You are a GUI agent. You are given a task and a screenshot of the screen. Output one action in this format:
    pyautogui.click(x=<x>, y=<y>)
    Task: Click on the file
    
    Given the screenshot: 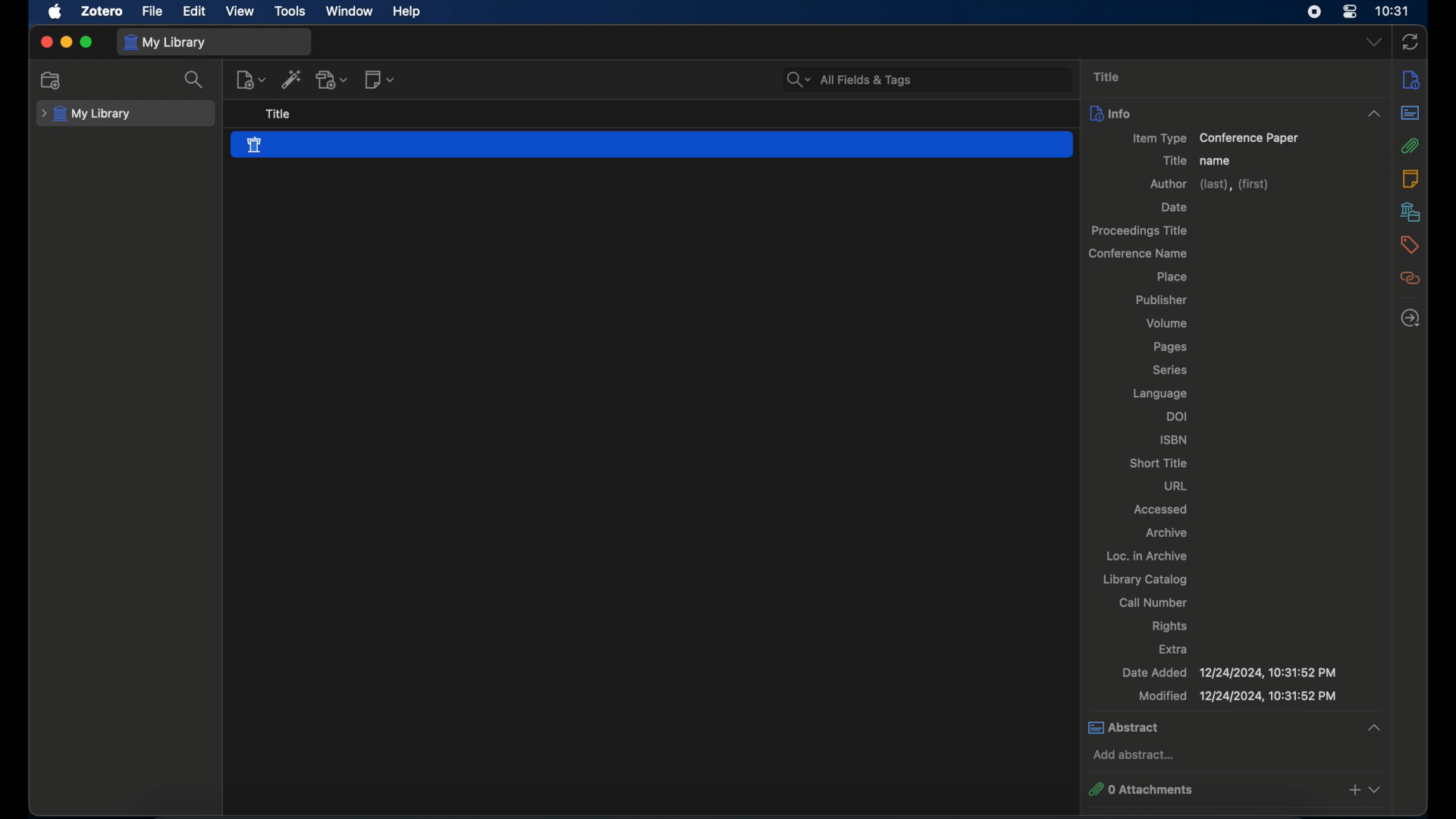 What is the action you would take?
    pyautogui.click(x=152, y=12)
    